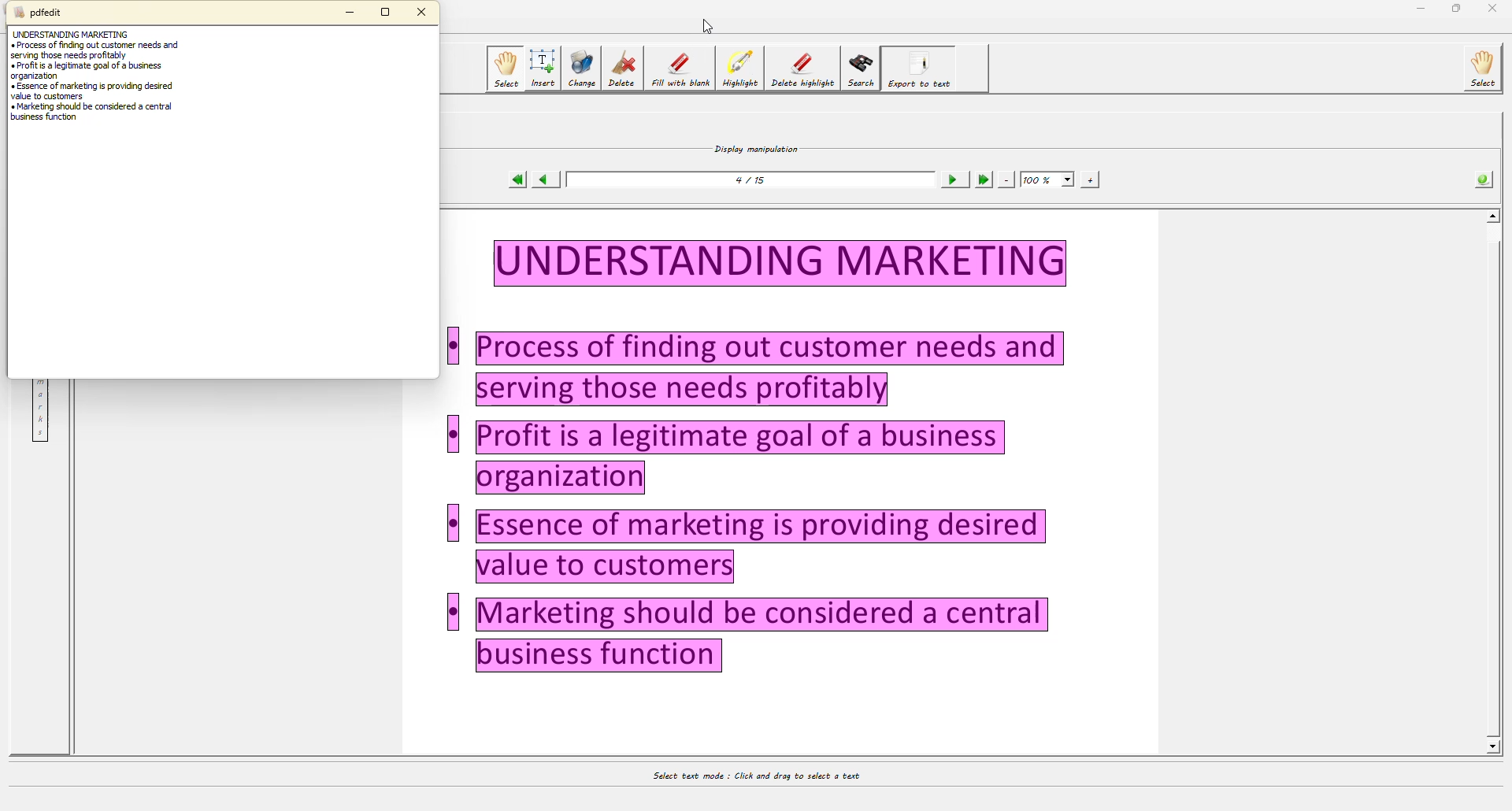 Image resolution: width=1512 pixels, height=811 pixels. Describe the element at coordinates (680, 69) in the screenshot. I see `fill with blank` at that location.